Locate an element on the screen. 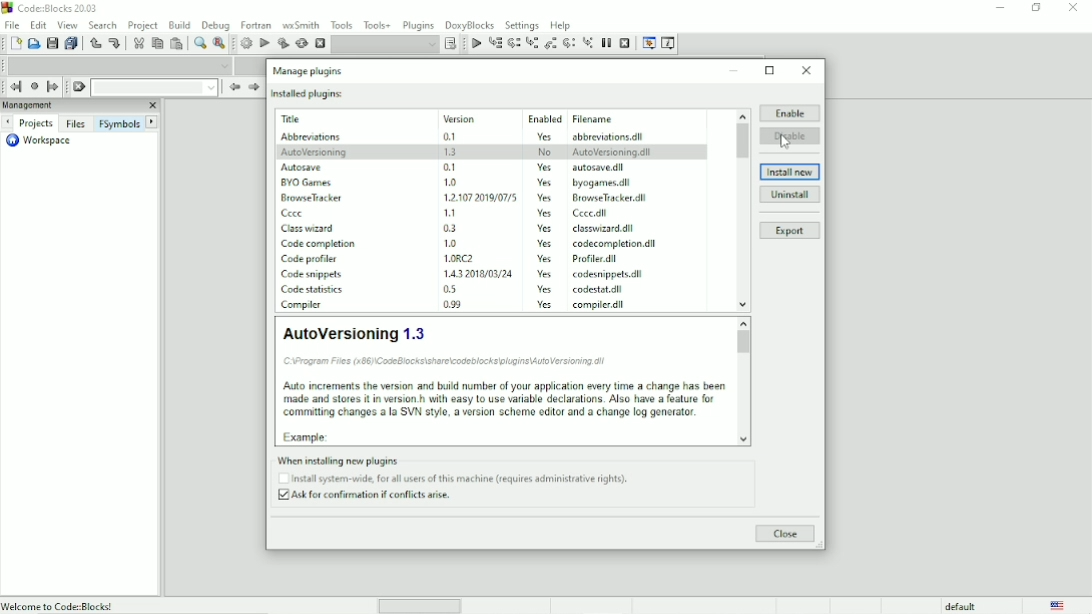 The width and height of the screenshot is (1092, 614). Yes is located at coordinates (543, 229).